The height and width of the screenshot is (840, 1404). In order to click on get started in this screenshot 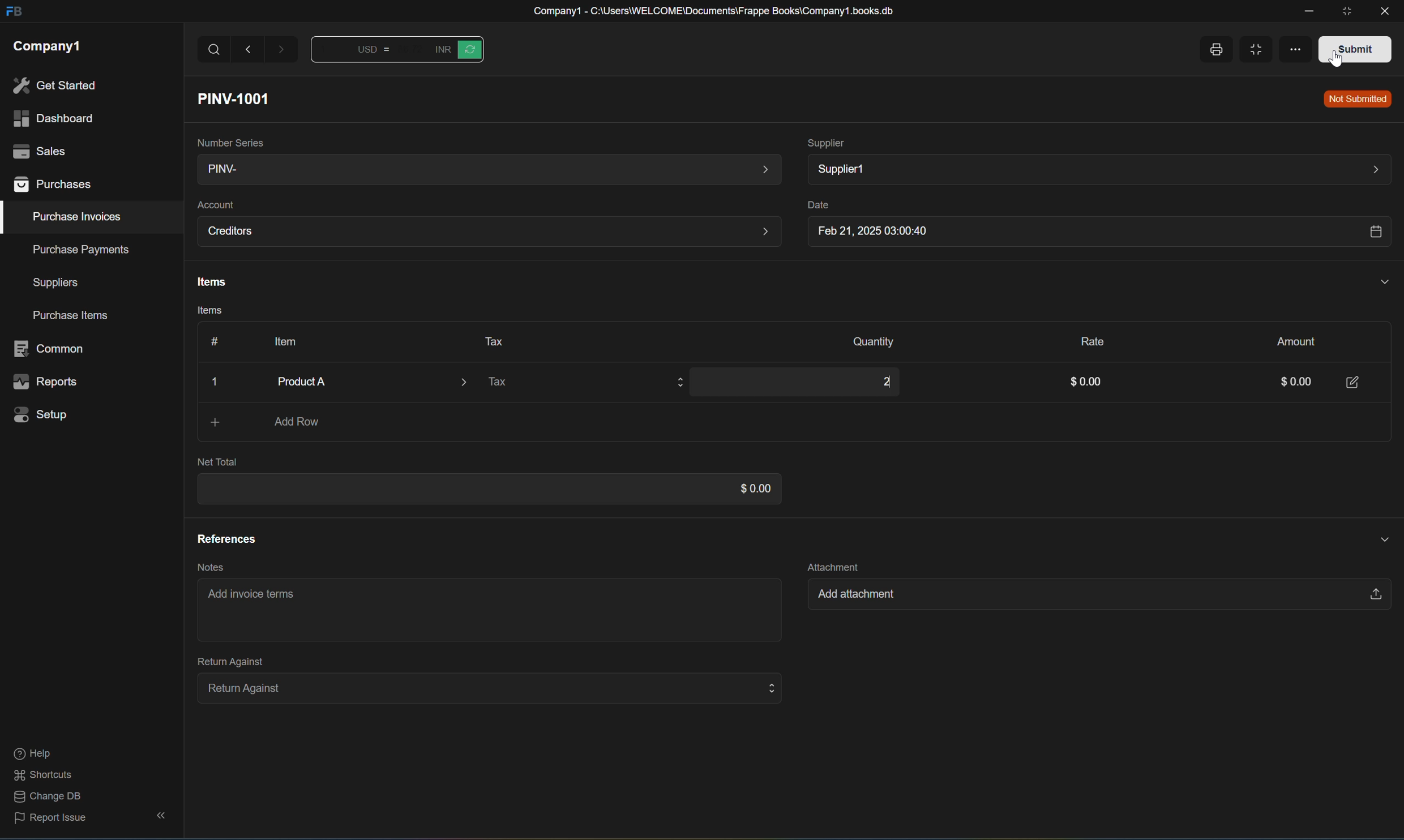, I will do `click(54, 85)`.